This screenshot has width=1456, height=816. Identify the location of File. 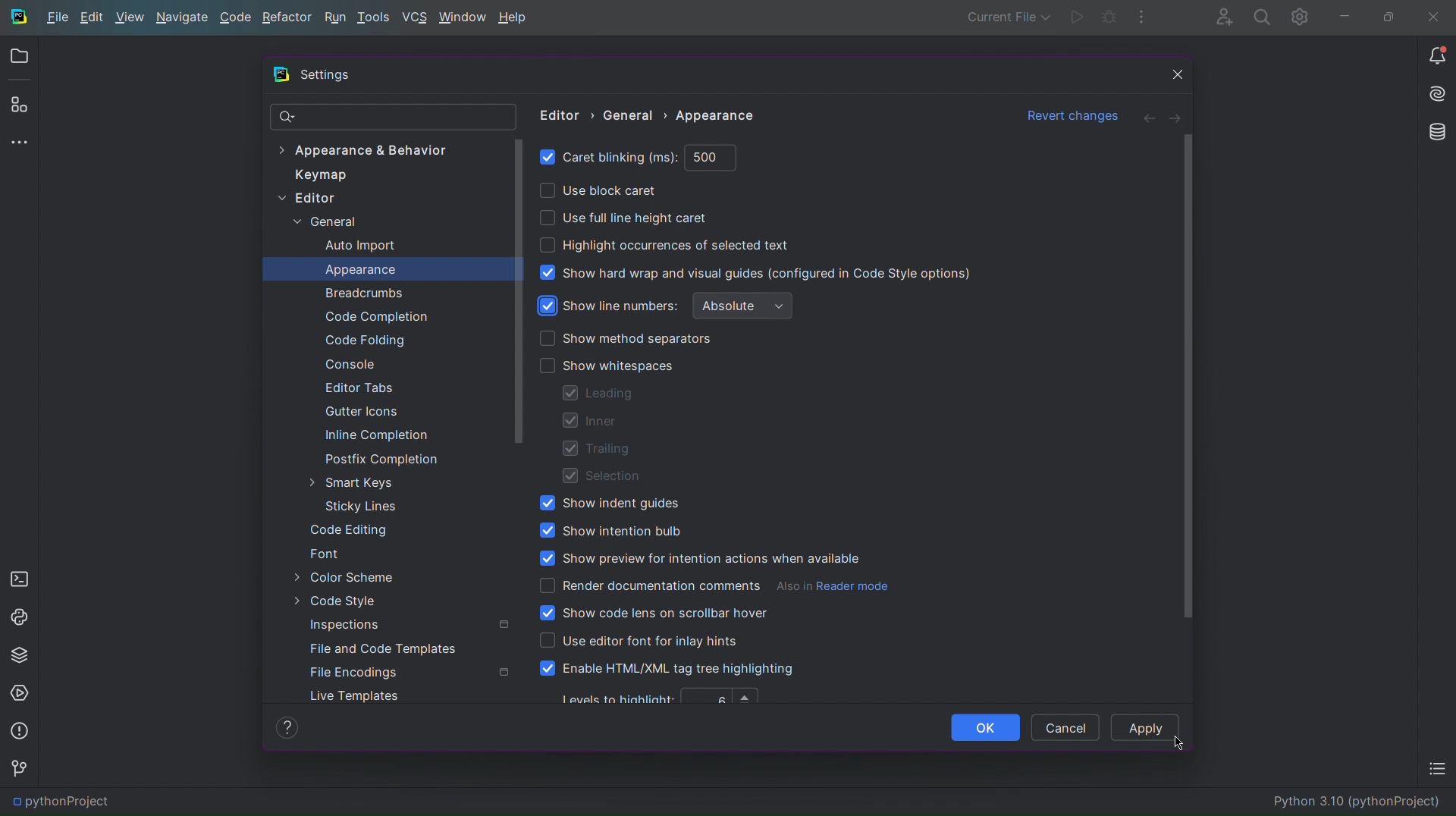
(56, 18).